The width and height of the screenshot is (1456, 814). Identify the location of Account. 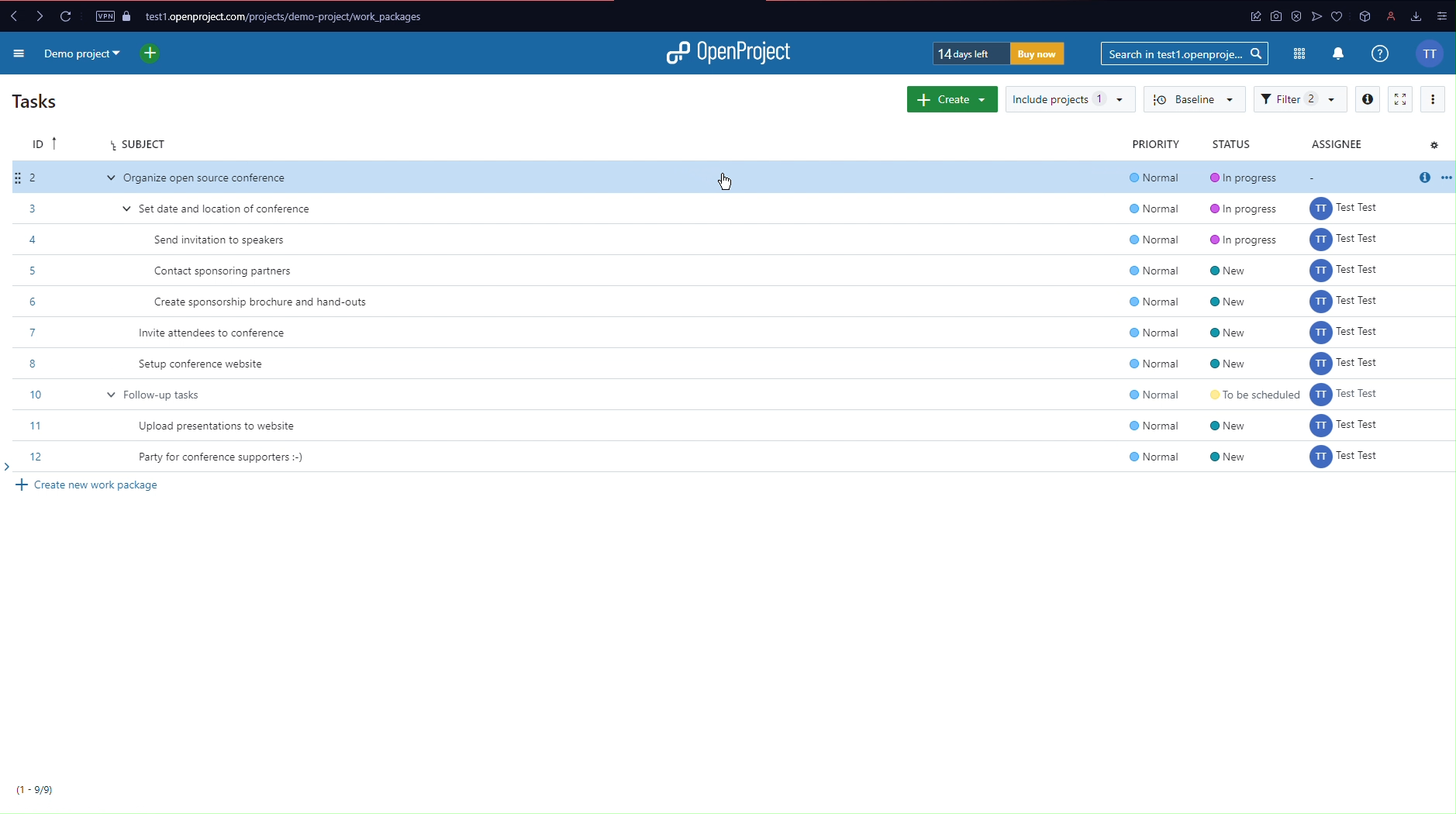
(1432, 54).